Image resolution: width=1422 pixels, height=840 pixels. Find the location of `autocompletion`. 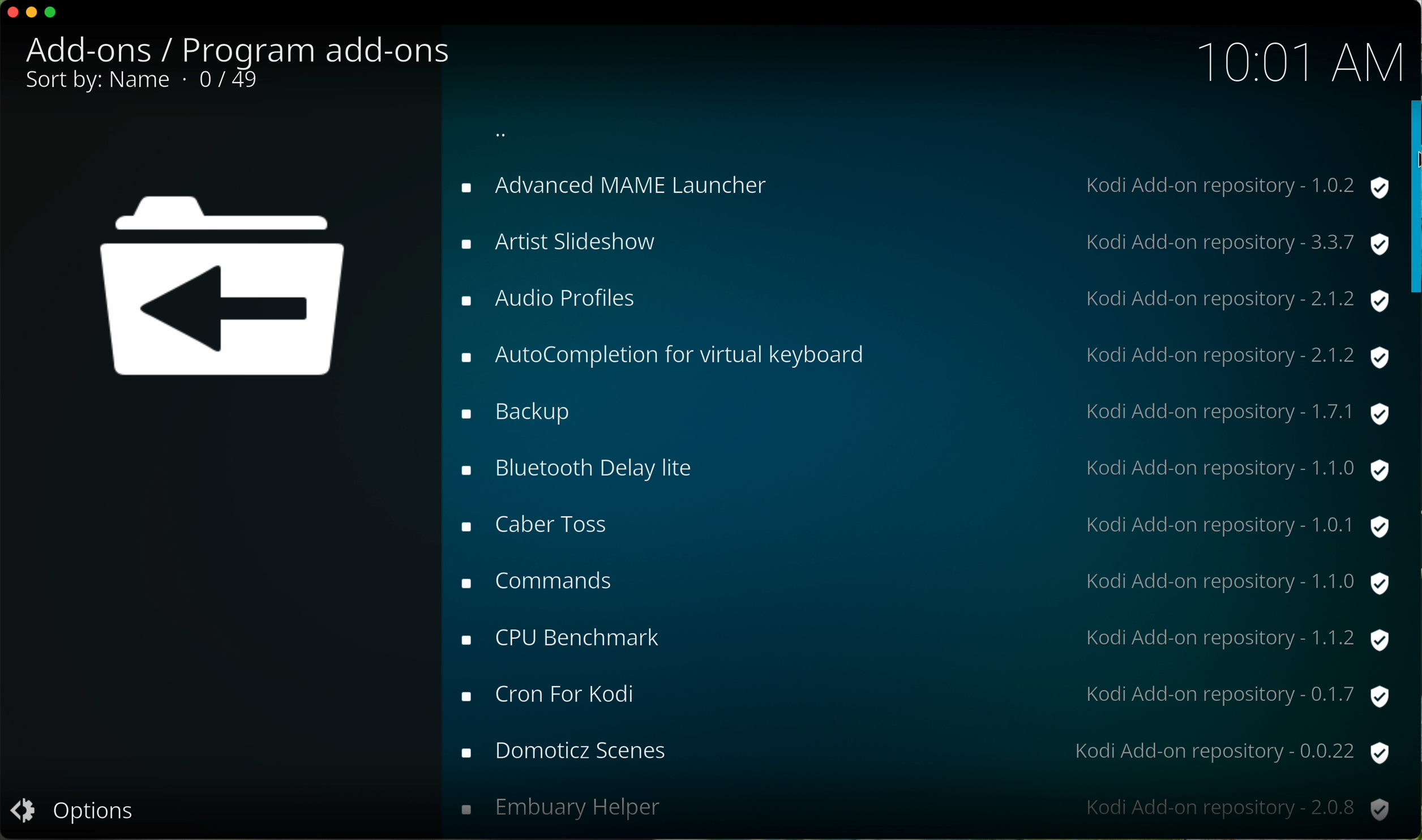

autocompletion is located at coordinates (922, 356).